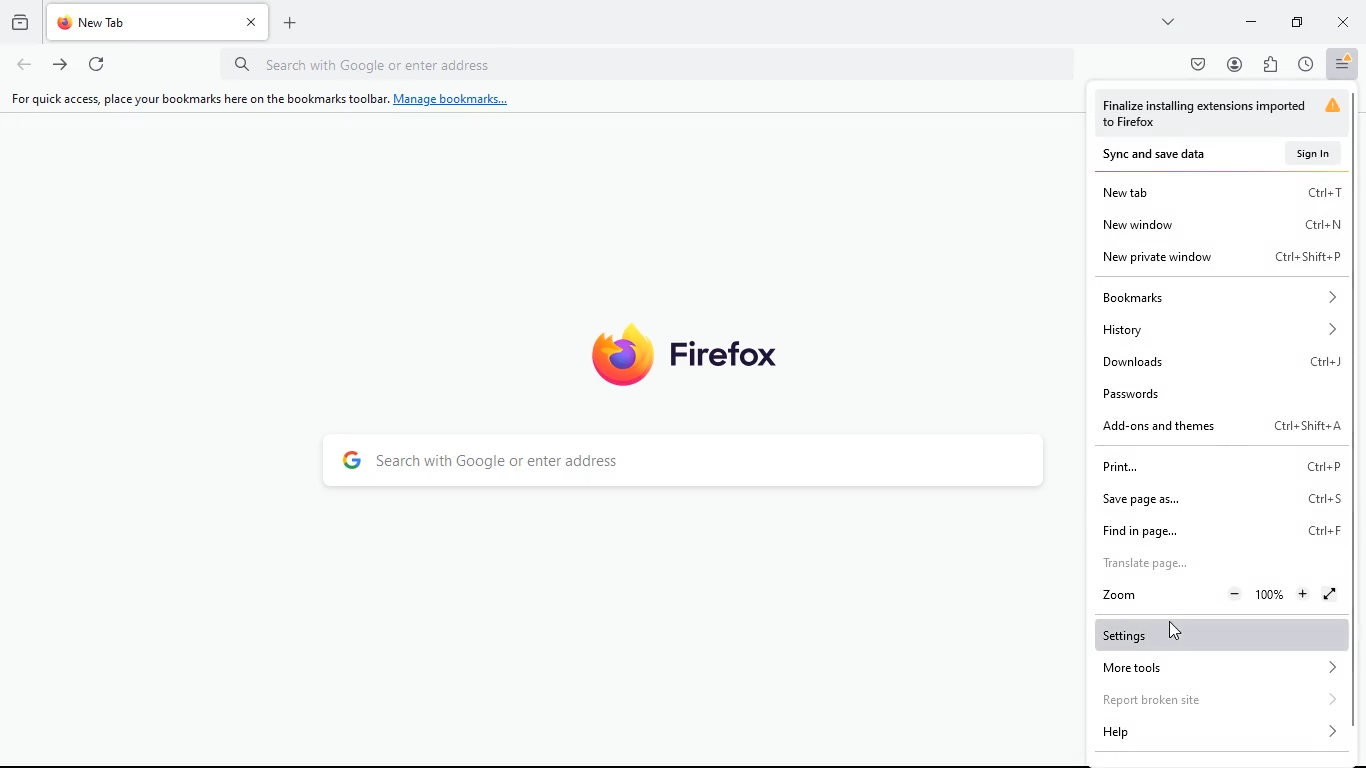 The image size is (1366, 768). I want to click on Finalize installing extensions importe
to Firefox, so click(1226, 114).